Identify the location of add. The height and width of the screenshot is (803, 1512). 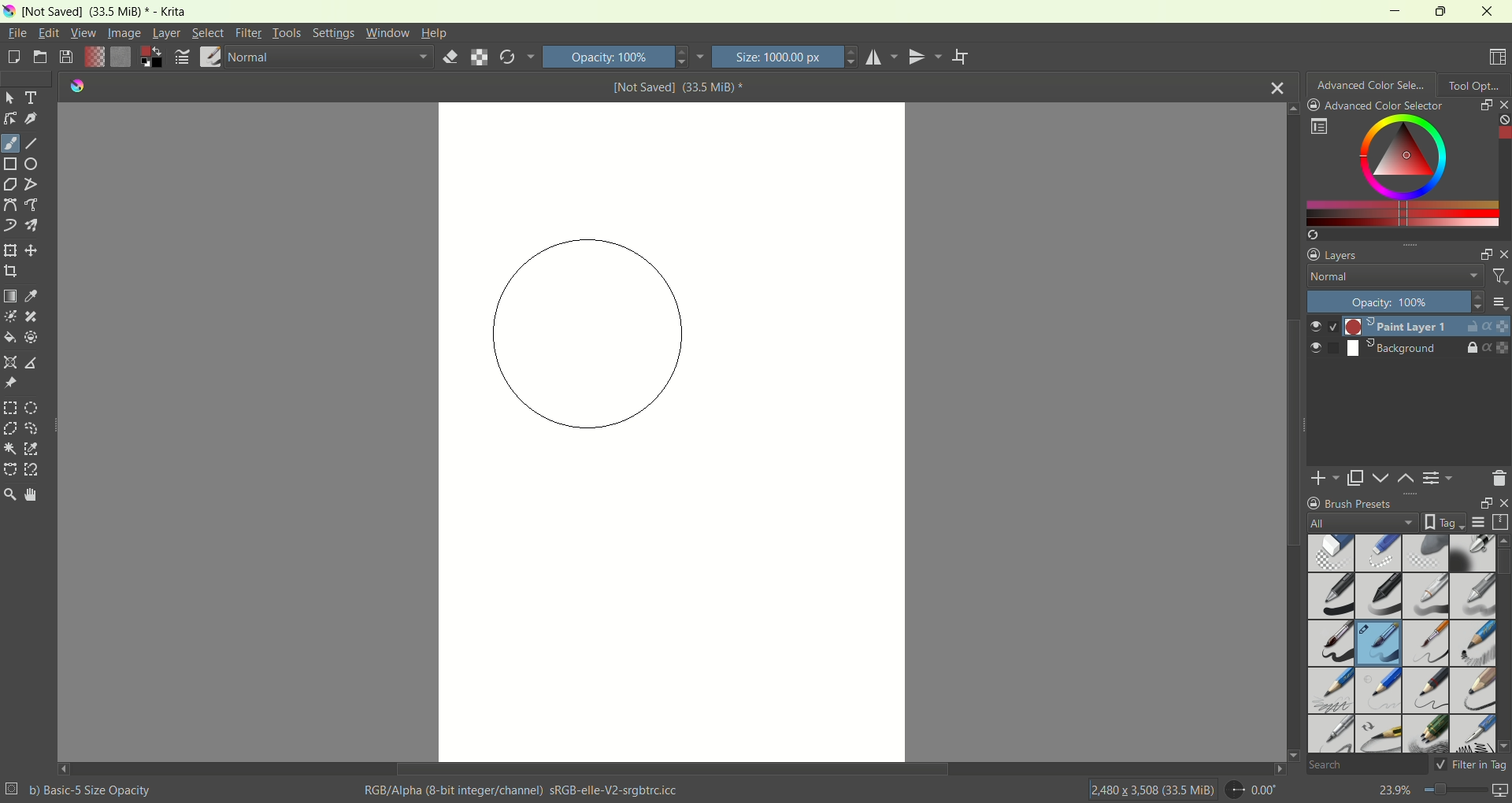
(1325, 477).